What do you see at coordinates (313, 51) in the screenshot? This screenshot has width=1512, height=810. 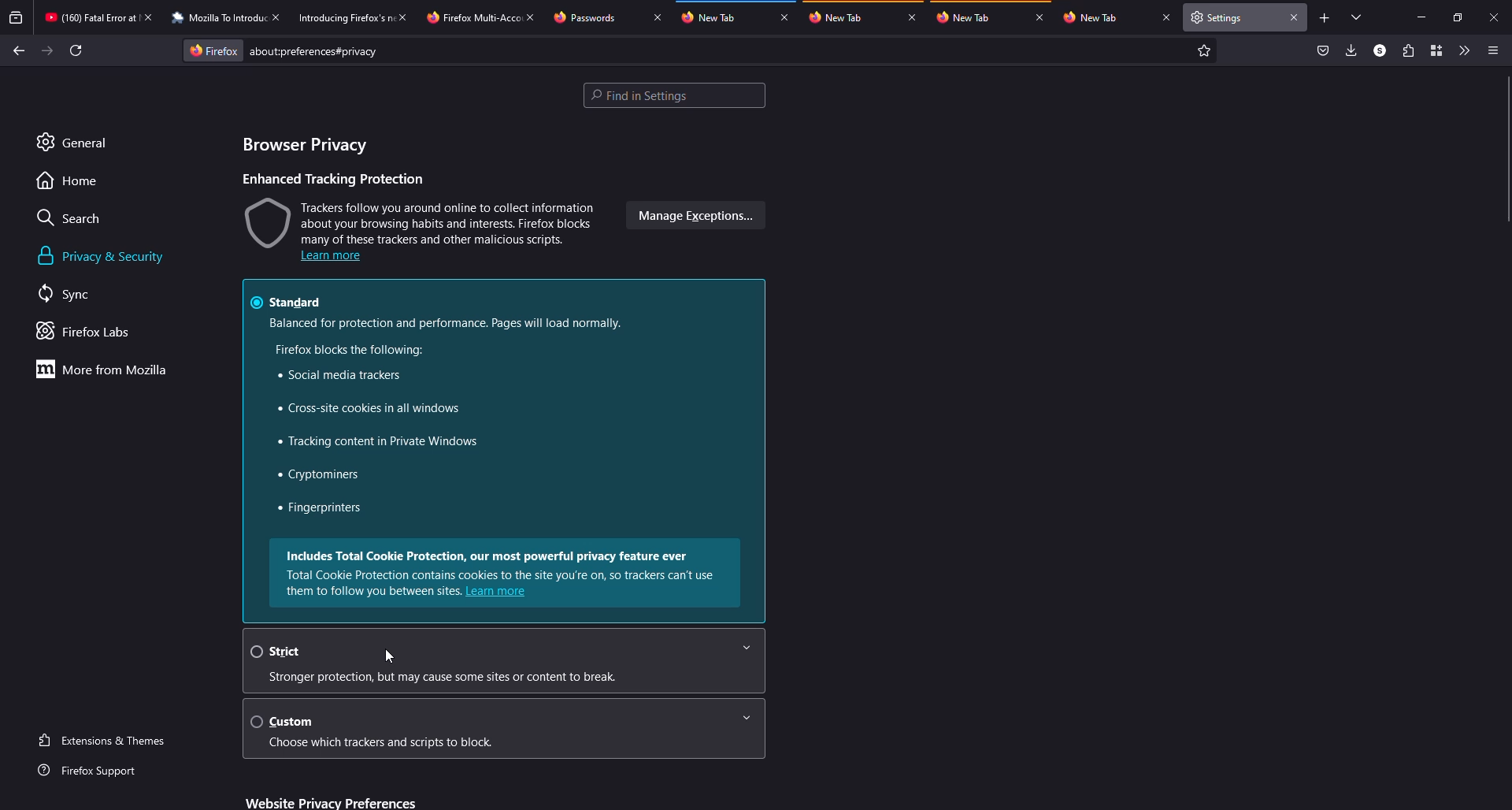 I see `preferences#privacy` at bounding box center [313, 51].